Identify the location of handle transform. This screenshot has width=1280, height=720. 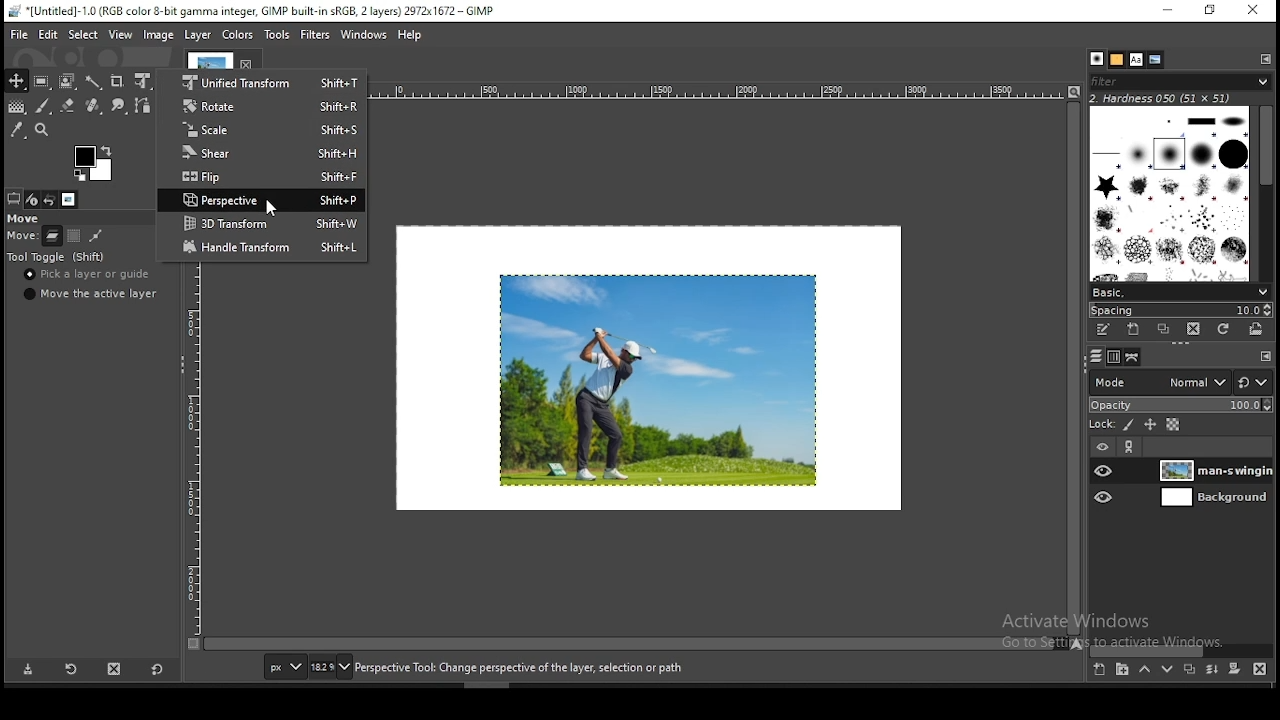
(263, 247).